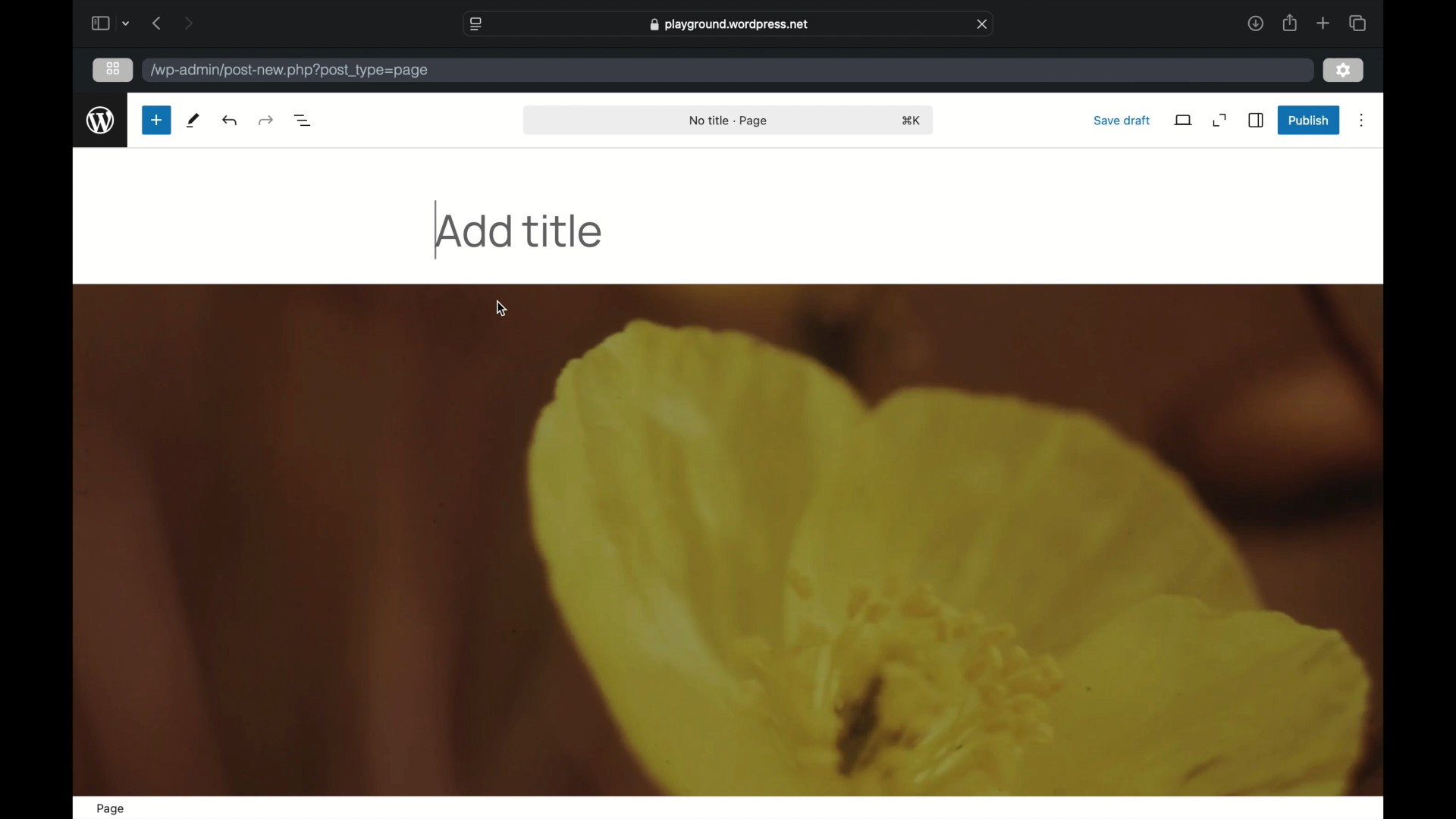 The image size is (1456, 819). Describe the element at coordinates (1219, 121) in the screenshot. I see `expand` at that location.